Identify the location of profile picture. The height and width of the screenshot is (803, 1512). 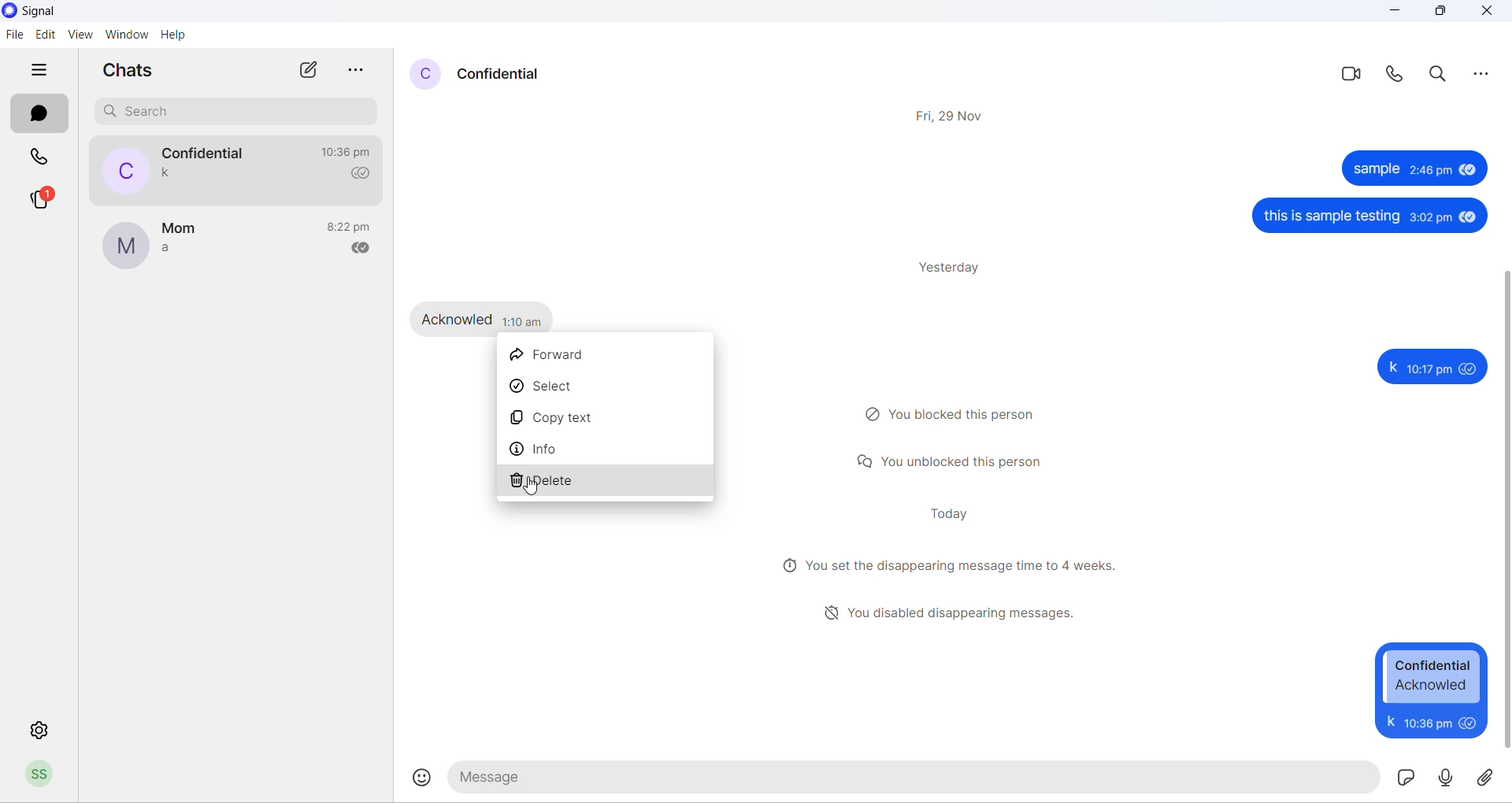
(122, 170).